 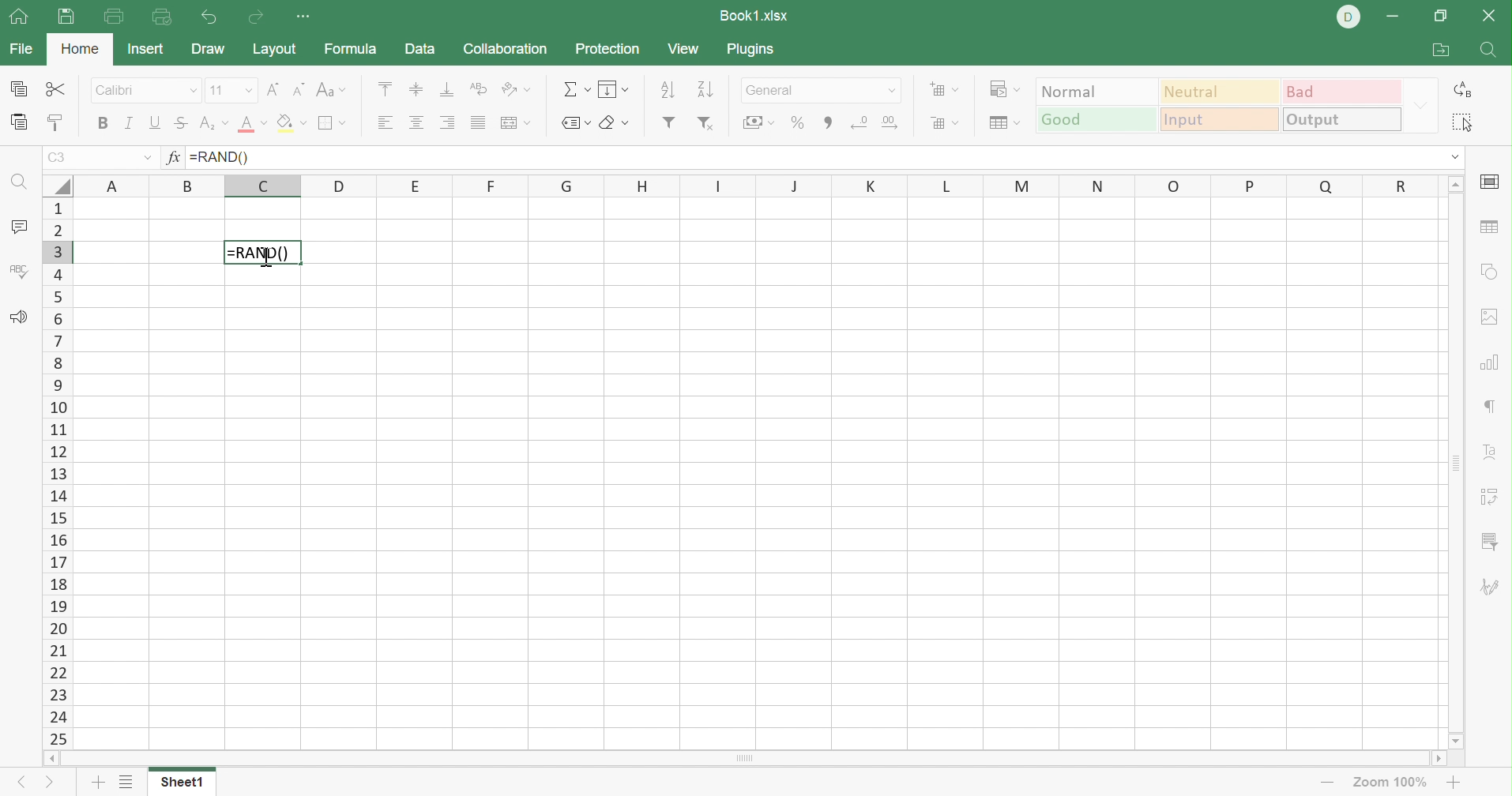 I want to click on Align middle, so click(x=414, y=88).